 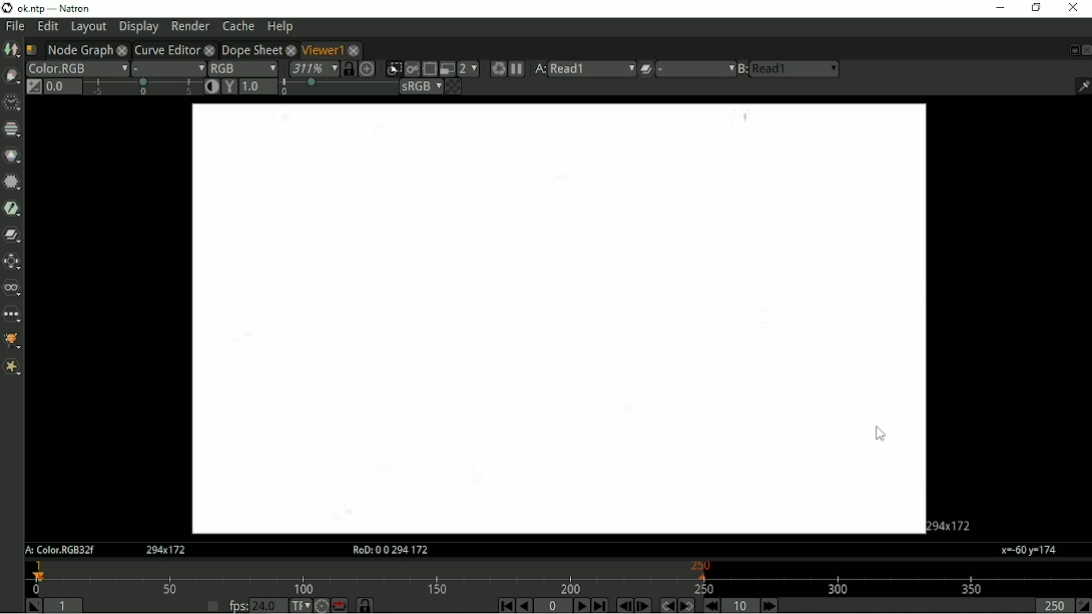 What do you see at coordinates (367, 70) in the screenshot?
I see `Scale image` at bounding box center [367, 70].